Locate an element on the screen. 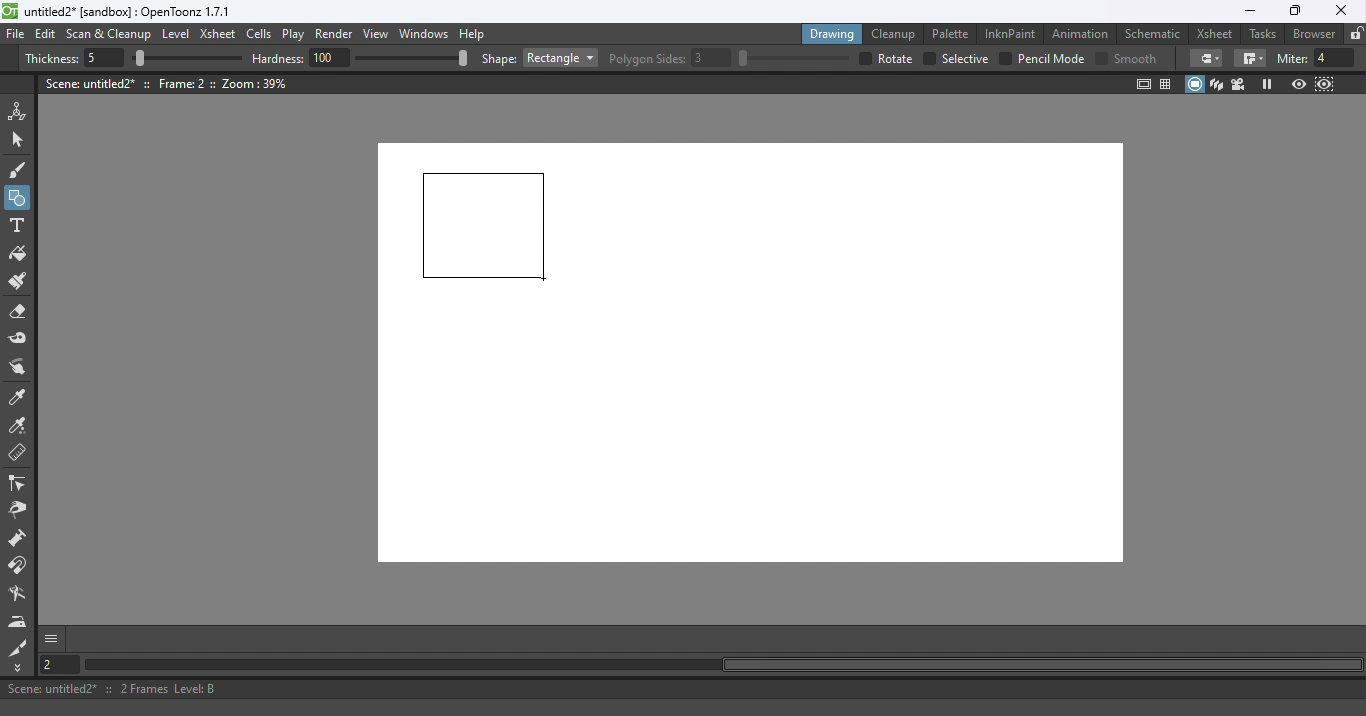  Help is located at coordinates (475, 33).